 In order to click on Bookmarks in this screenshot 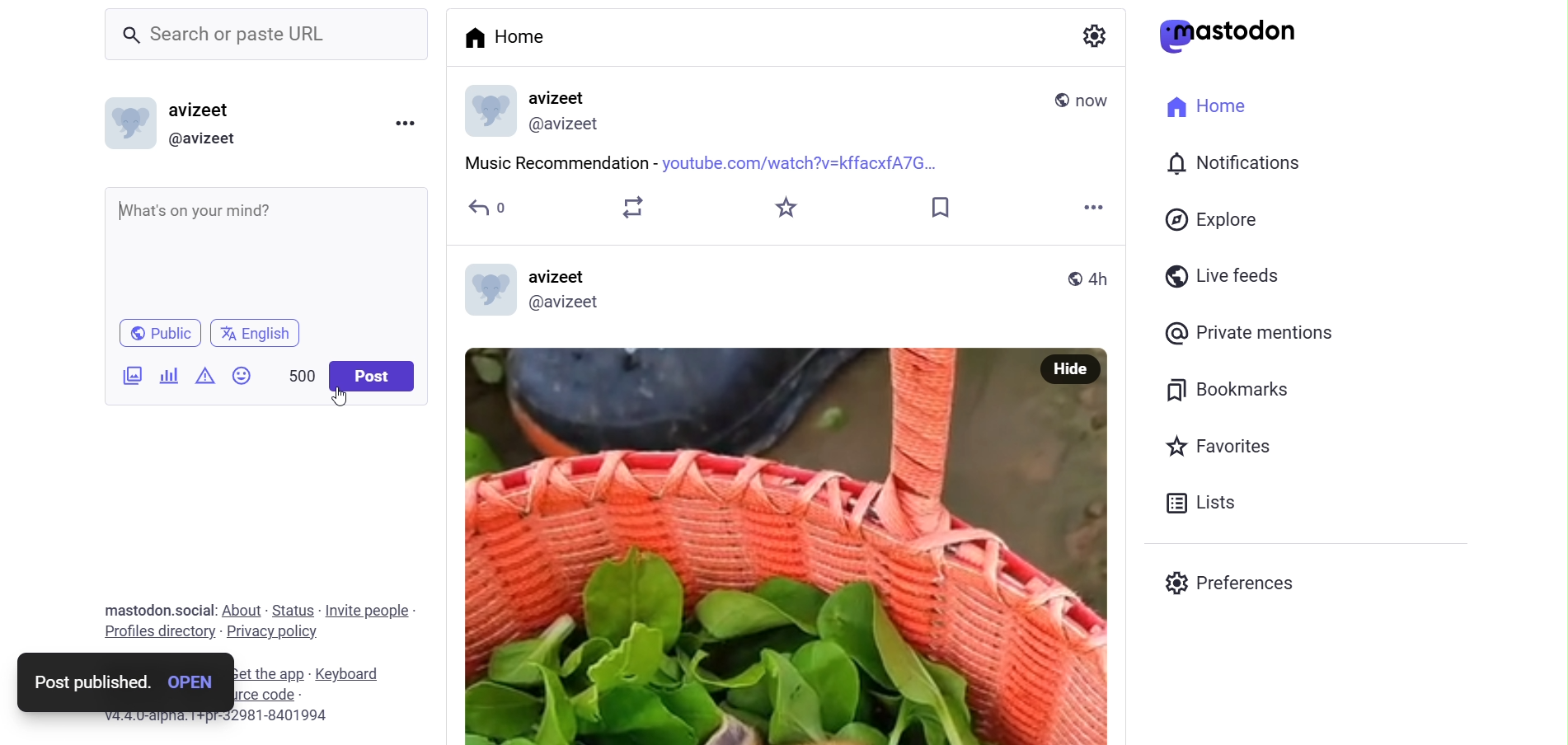, I will do `click(1226, 388)`.